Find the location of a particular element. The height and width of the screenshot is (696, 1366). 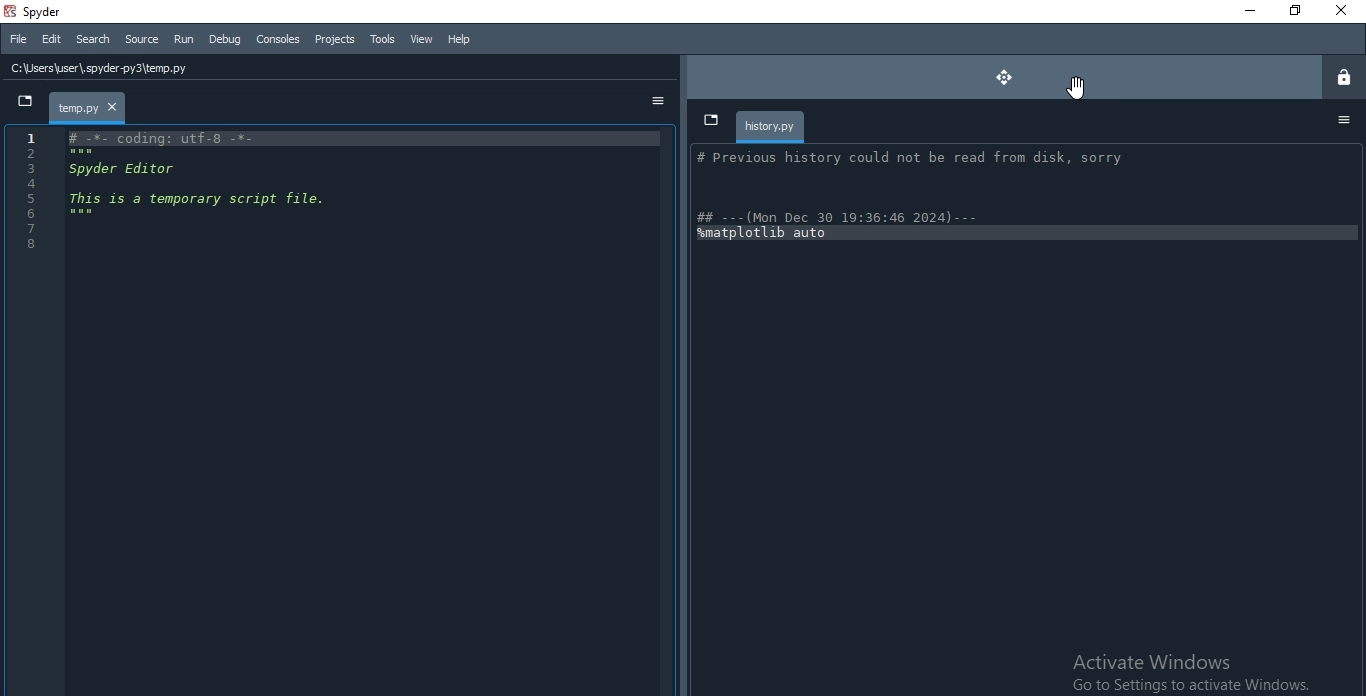

Search is located at coordinates (95, 39).